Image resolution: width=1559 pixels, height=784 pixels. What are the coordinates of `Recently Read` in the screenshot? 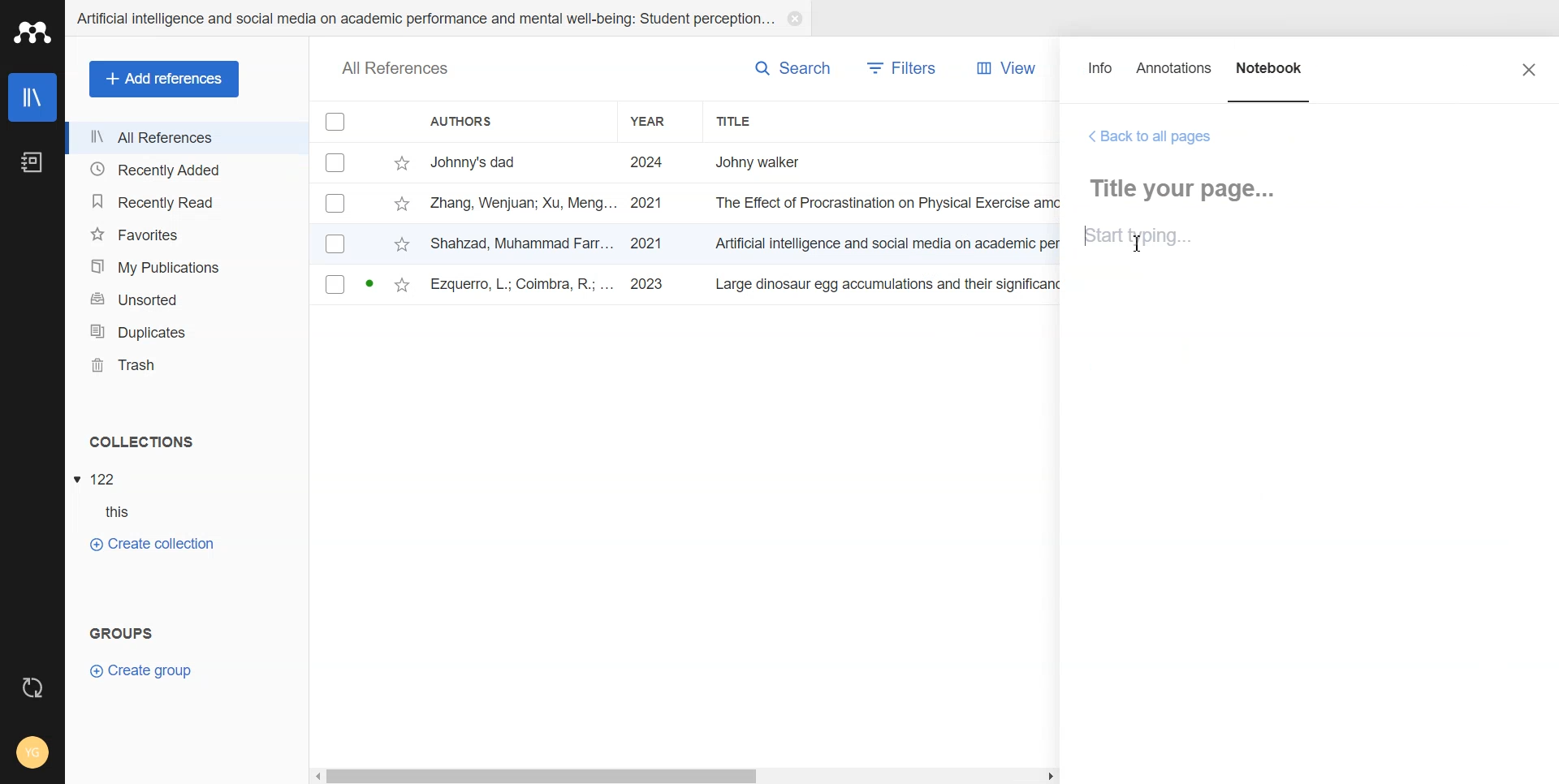 It's located at (185, 203).